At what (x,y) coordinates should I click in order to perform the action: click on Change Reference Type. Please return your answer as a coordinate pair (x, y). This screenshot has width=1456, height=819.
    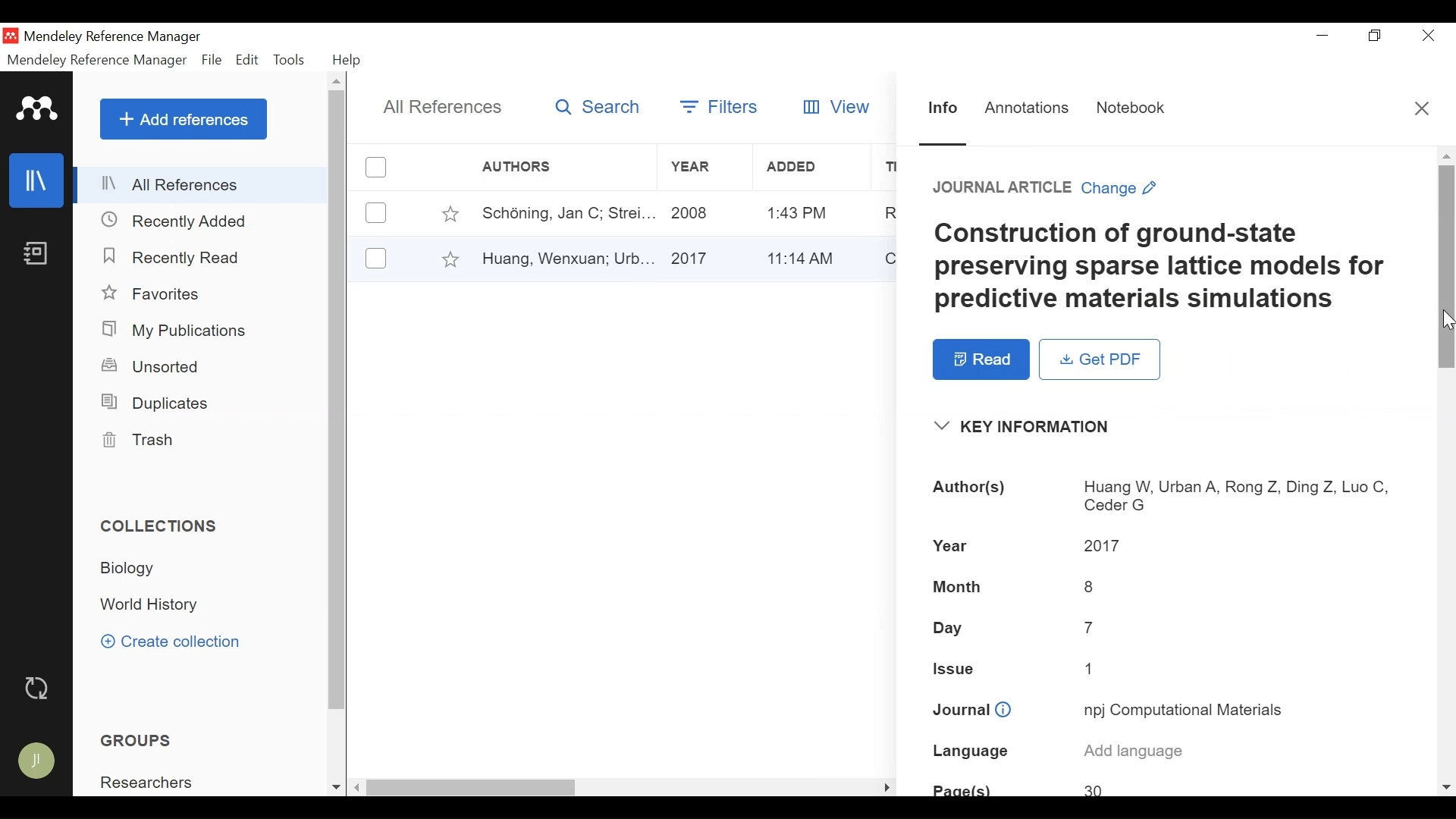
    Looking at the image, I should click on (1047, 188).